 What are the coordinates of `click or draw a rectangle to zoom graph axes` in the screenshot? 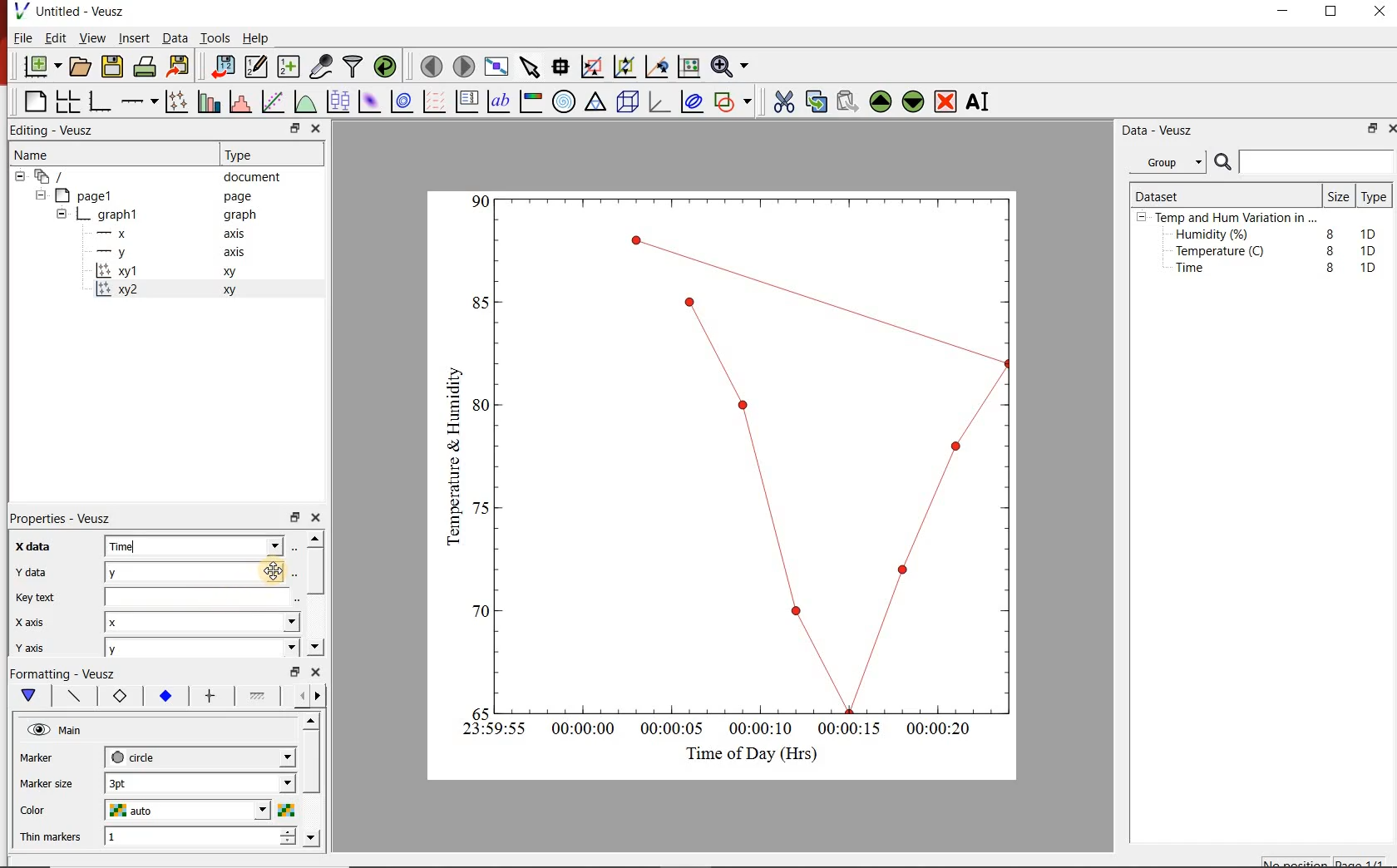 It's located at (595, 67).